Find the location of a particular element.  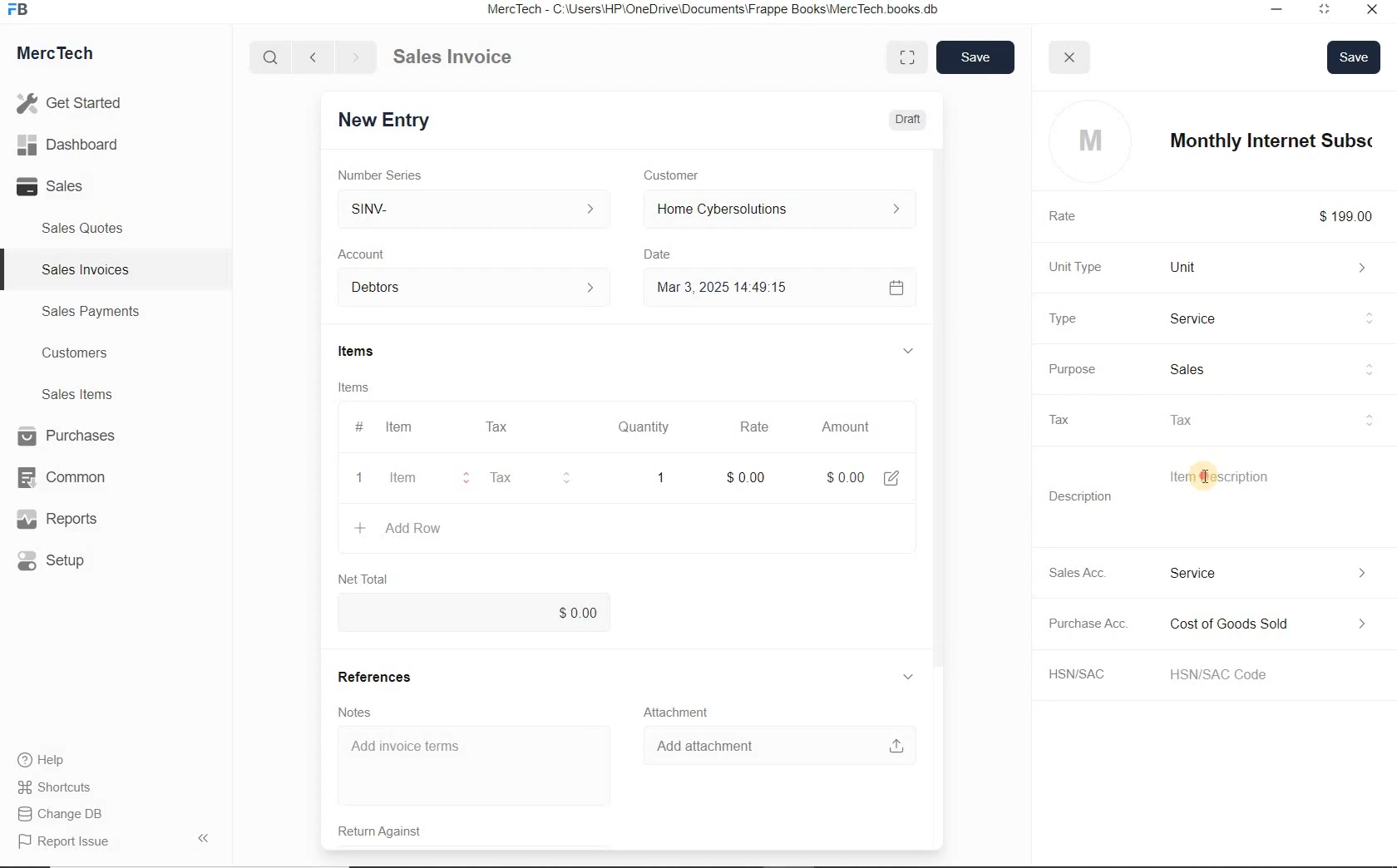

Help is located at coordinates (50, 760).